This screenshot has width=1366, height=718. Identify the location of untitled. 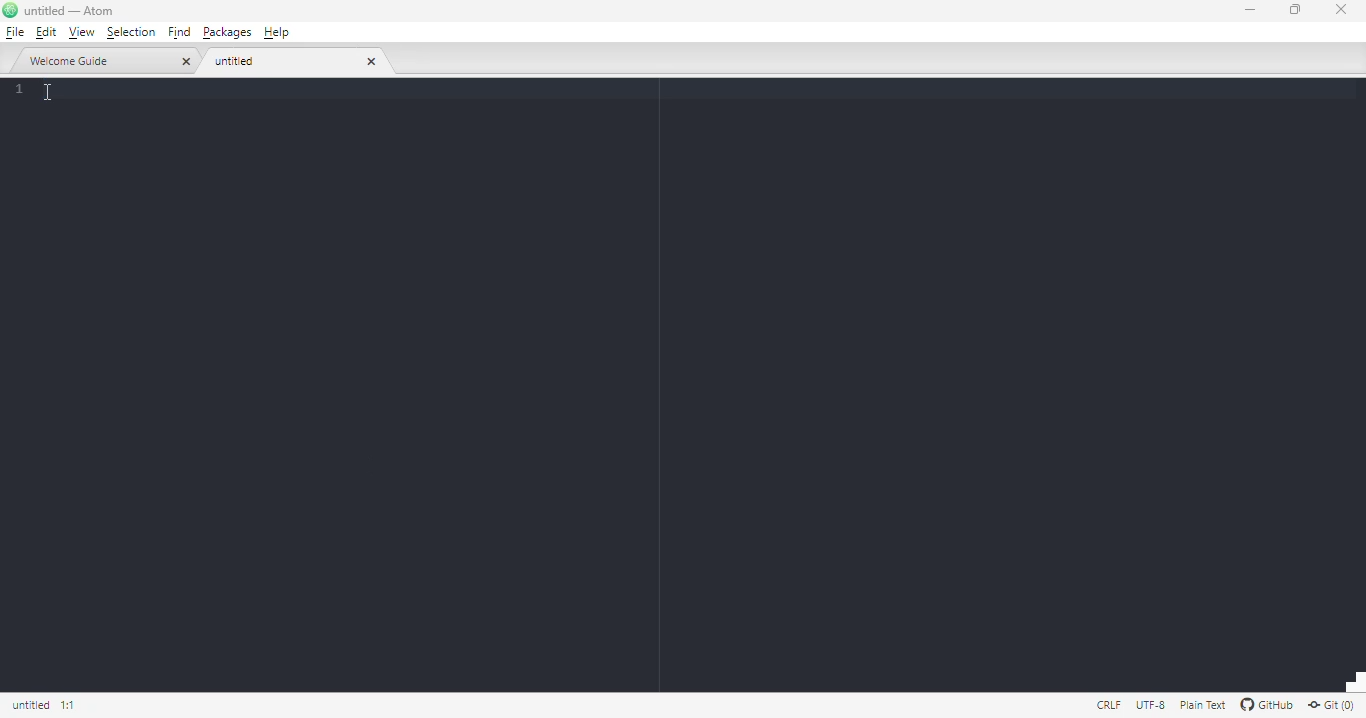
(284, 61).